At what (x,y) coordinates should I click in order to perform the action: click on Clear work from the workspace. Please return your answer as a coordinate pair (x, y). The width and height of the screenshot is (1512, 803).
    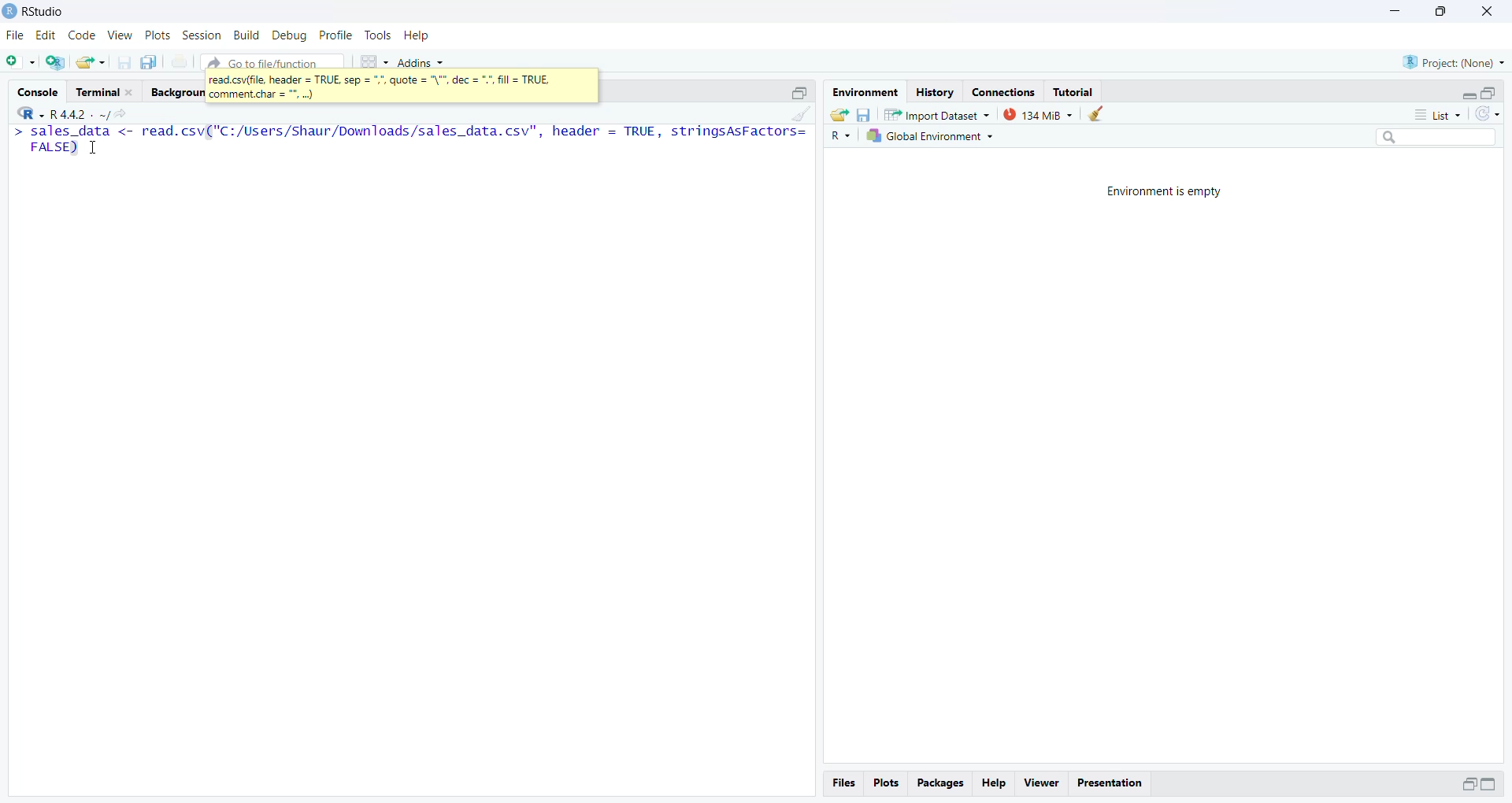
    Looking at the image, I should click on (1097, 113).